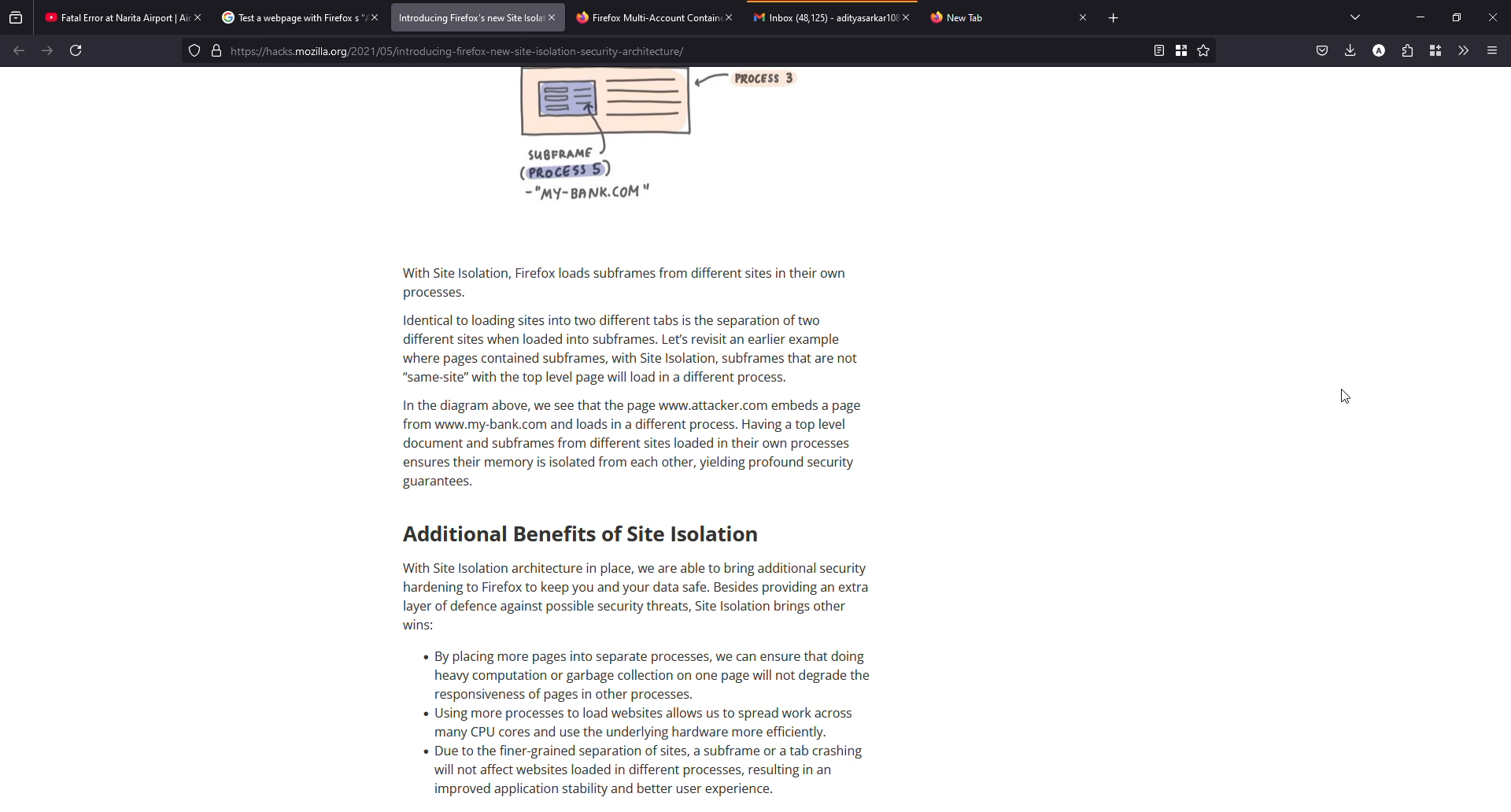  What do you see at coordinates (112, 17) in the screenshot?
I see `Fatal Error at Narita Airport| Ai` at bounding box center [112, 17].